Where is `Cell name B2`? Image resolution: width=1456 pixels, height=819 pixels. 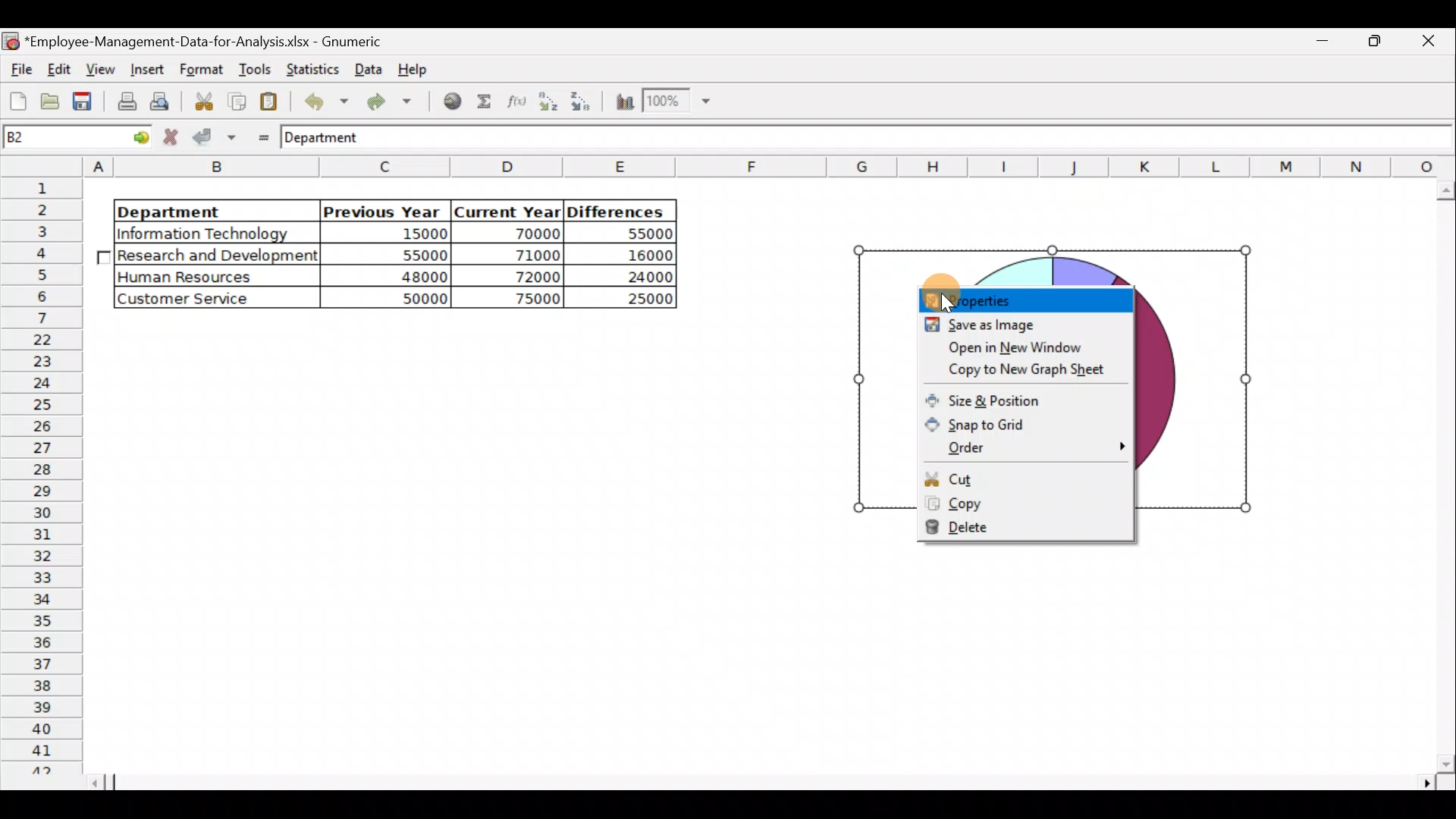 Cell name B2 is located at coordinates (51, 139).